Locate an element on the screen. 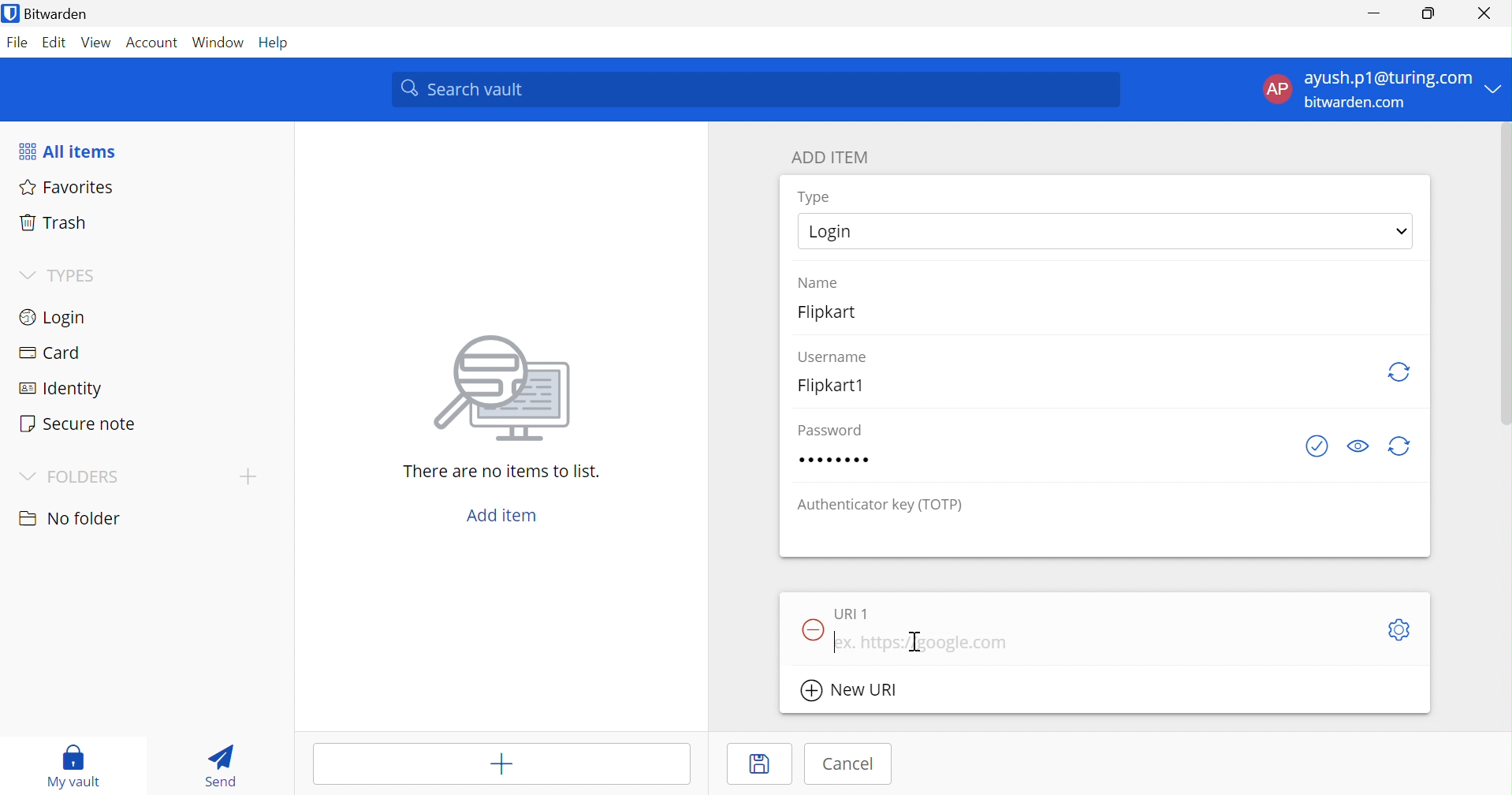  Drop Down is located at coordinates (1402, 230).